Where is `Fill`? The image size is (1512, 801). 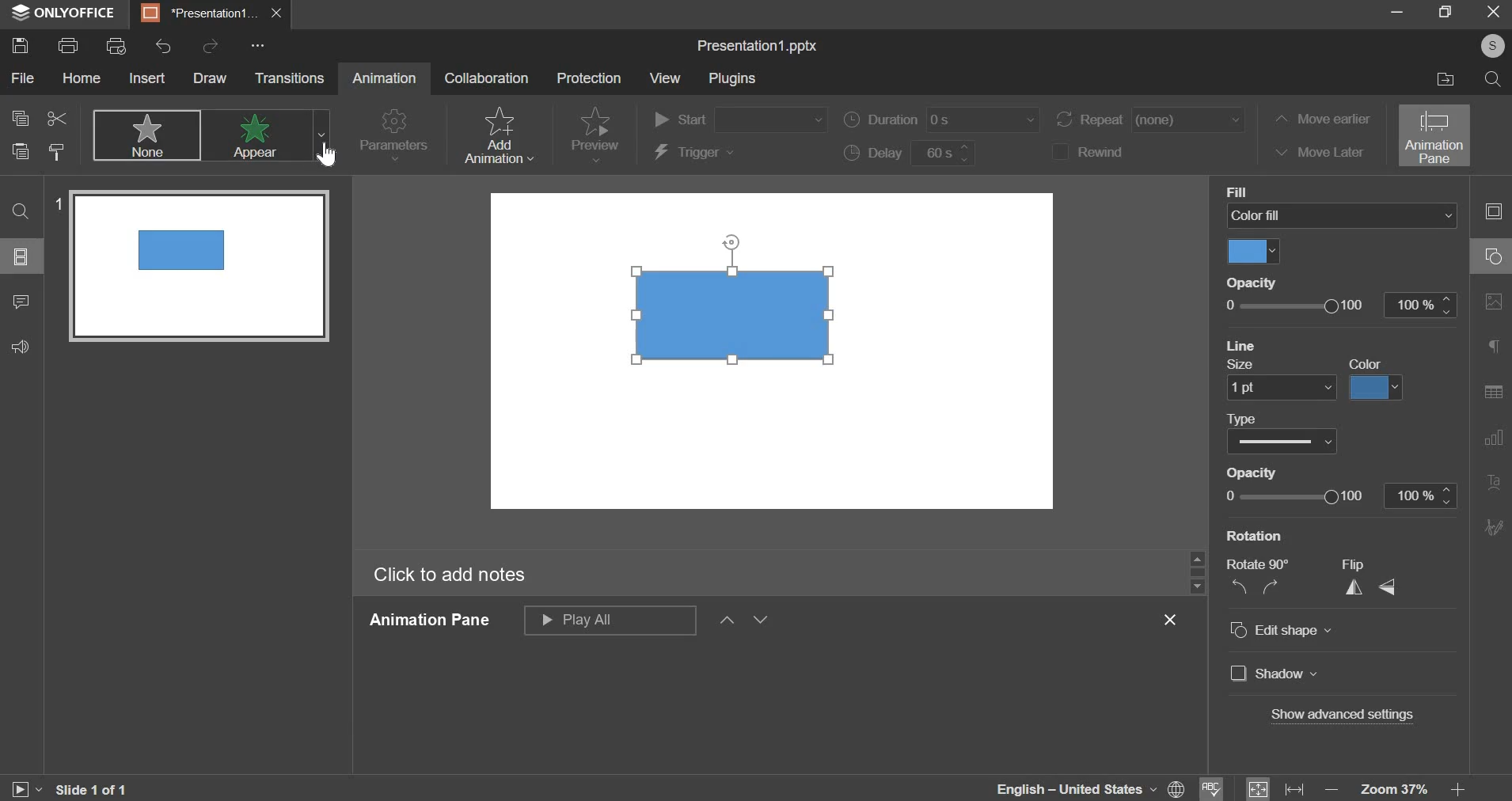 Fill is located at coordinates (1239, 189).